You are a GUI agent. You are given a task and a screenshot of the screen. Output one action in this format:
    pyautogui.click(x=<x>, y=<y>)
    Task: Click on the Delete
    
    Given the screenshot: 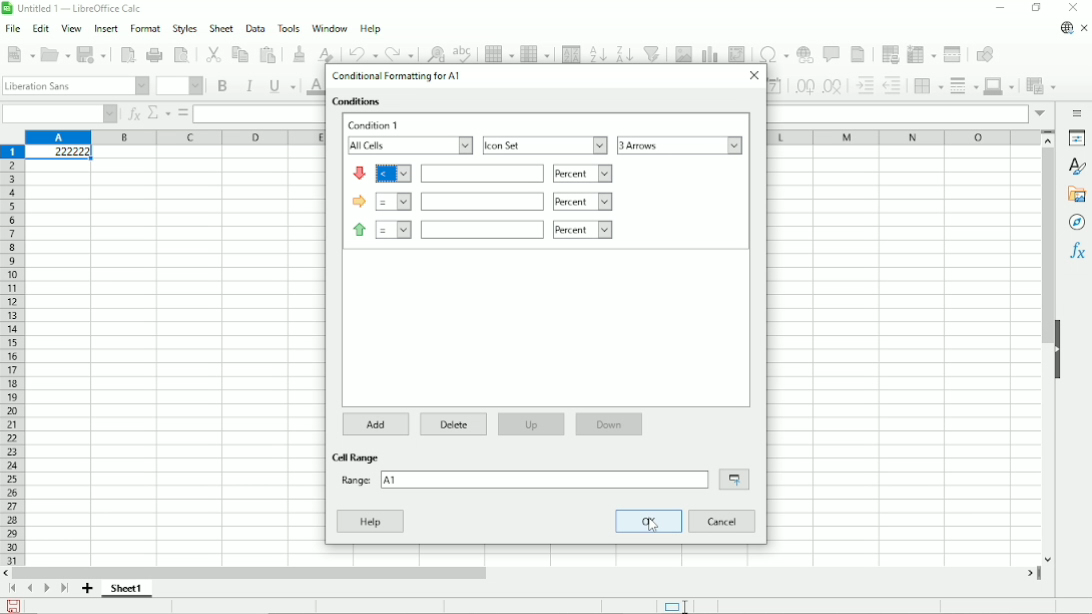 What is the action you would take?
    pyautogui.click(x=452, y=423)
    